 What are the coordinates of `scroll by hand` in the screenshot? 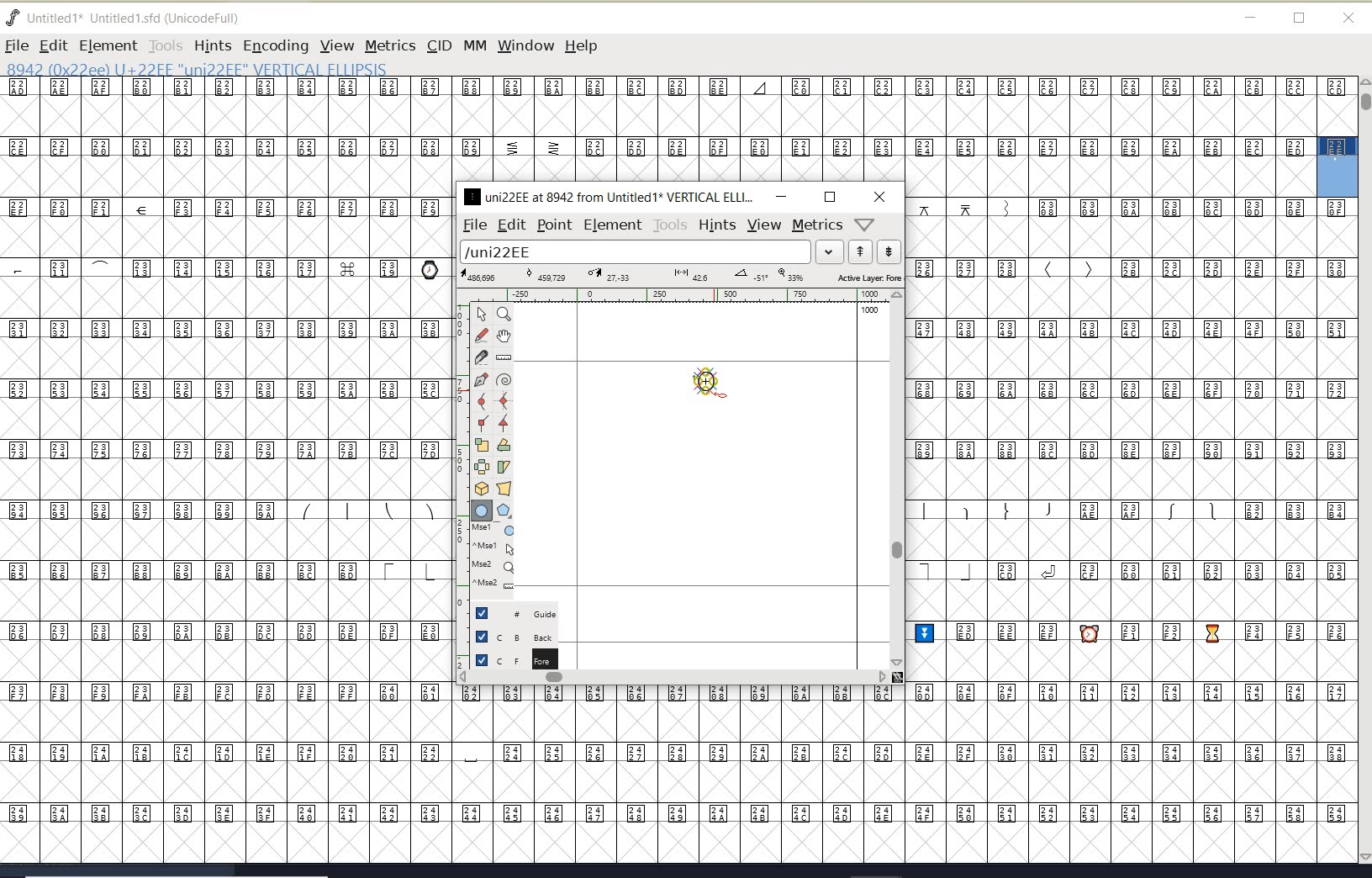 It's located at (504, 337).